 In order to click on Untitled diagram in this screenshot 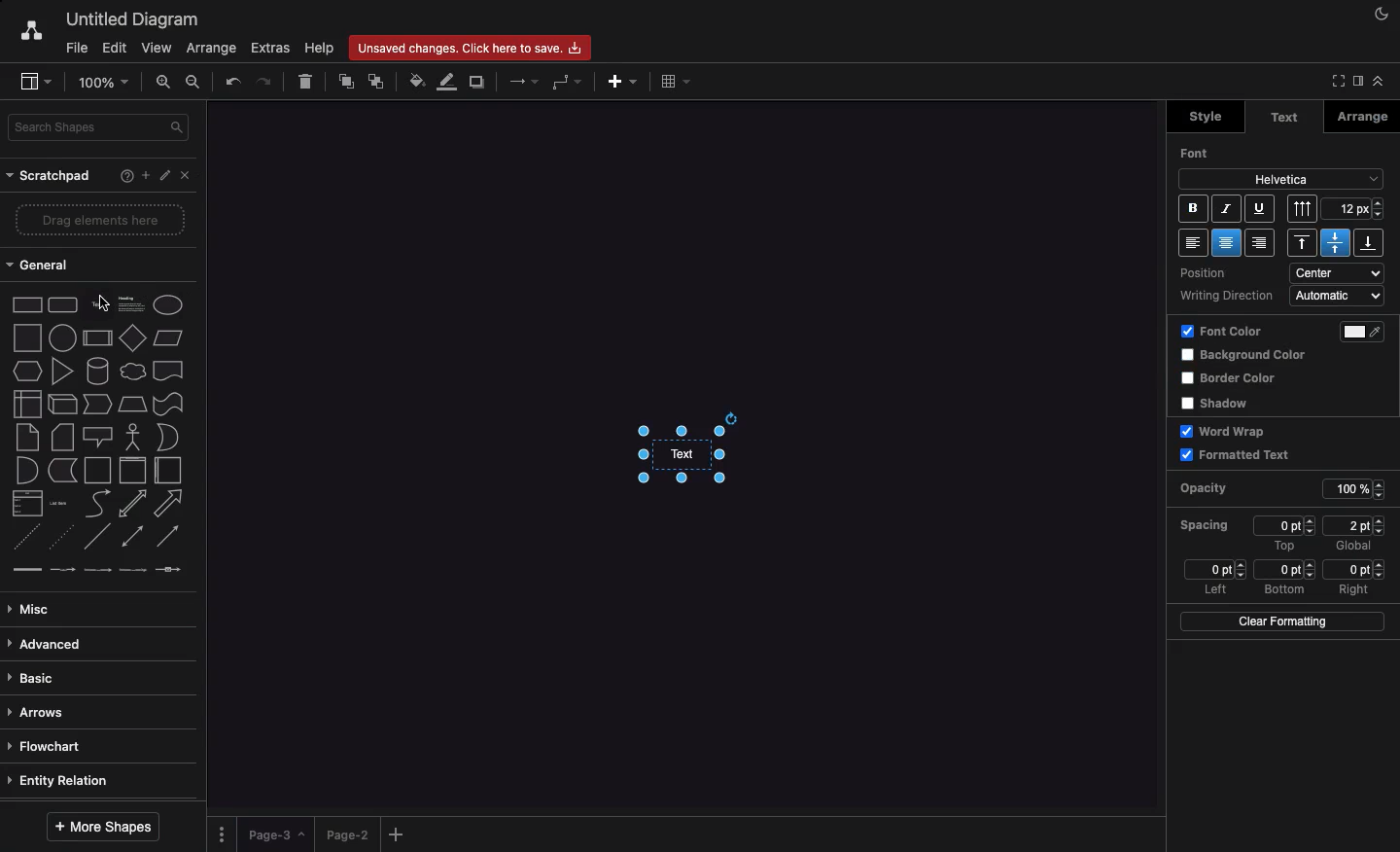, I will do `click(126, 19)`.